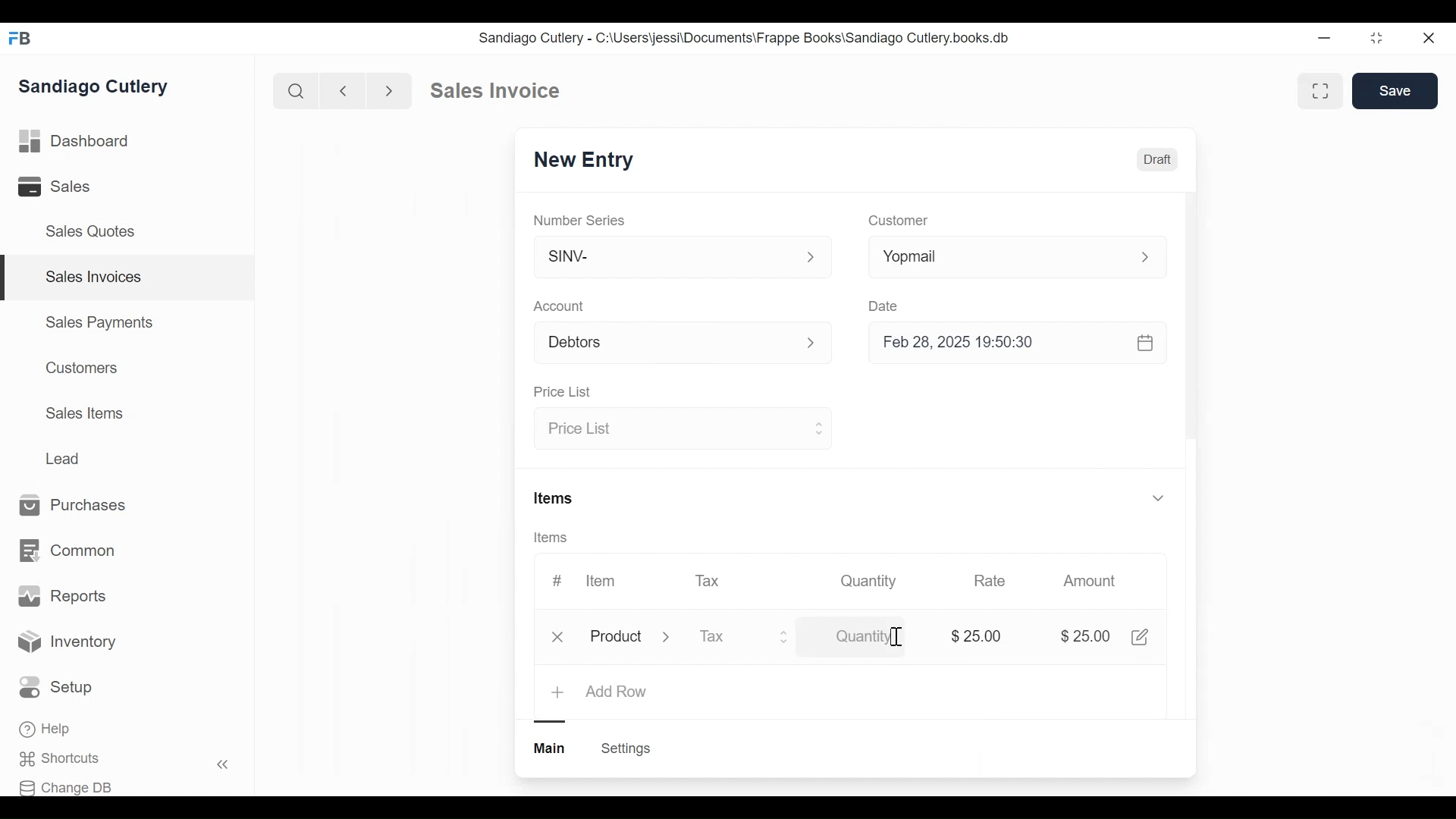  Describe the element at coordinates (552, 538) in the screenshot. I see `Items` at that location.